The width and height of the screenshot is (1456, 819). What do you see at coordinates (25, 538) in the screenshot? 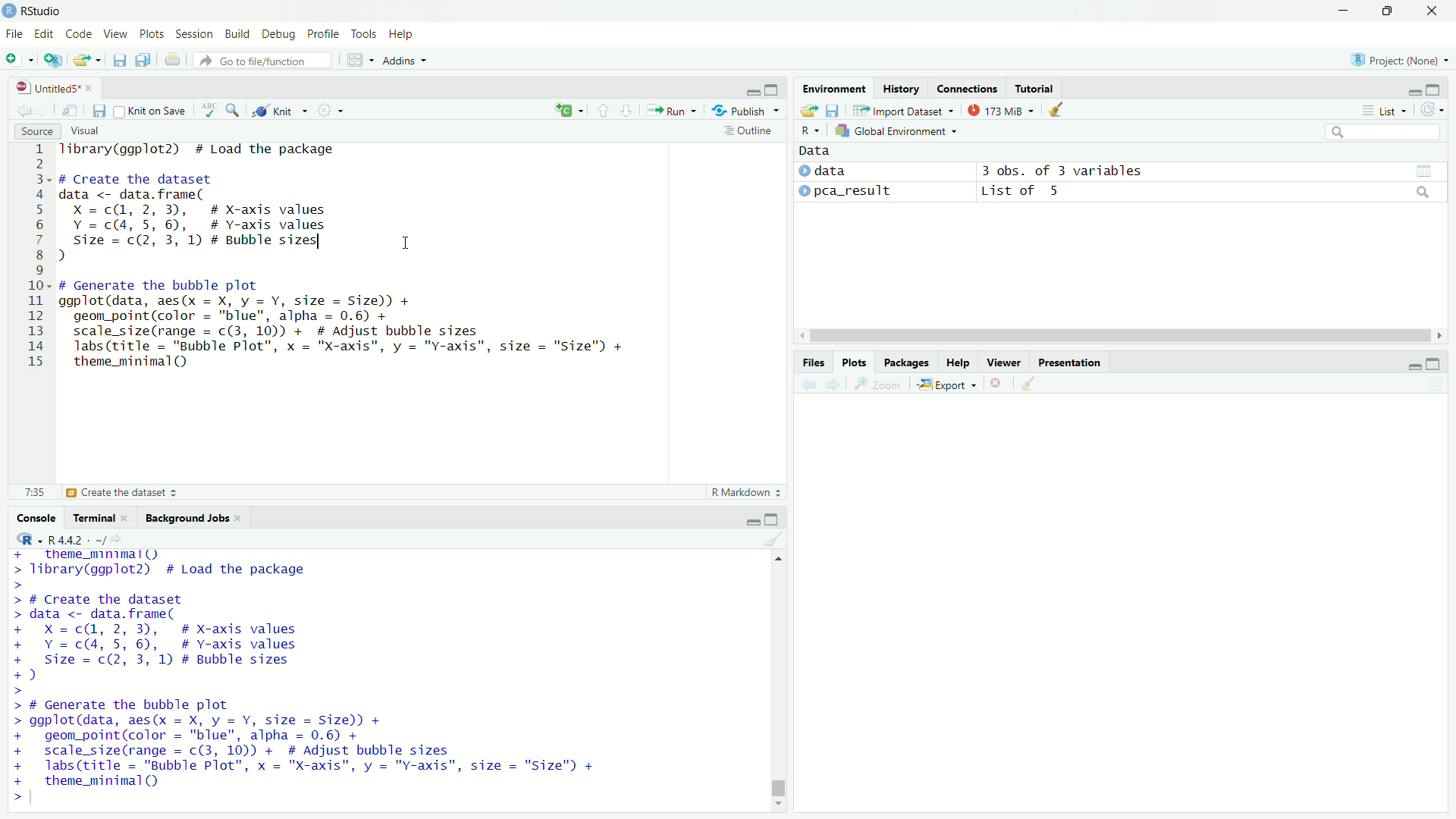
I see `R language` at bounding box center [25, 538].